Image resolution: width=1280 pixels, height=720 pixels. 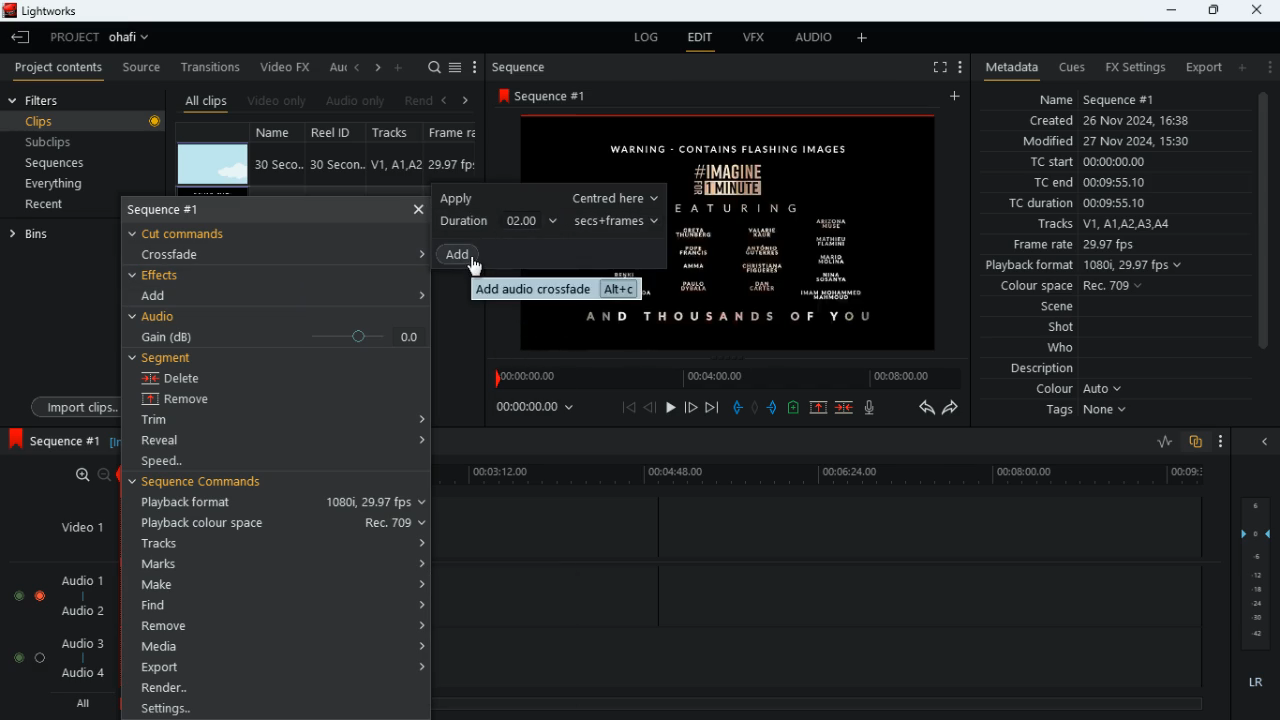 I want to click on new, so click(x=796, y=410).